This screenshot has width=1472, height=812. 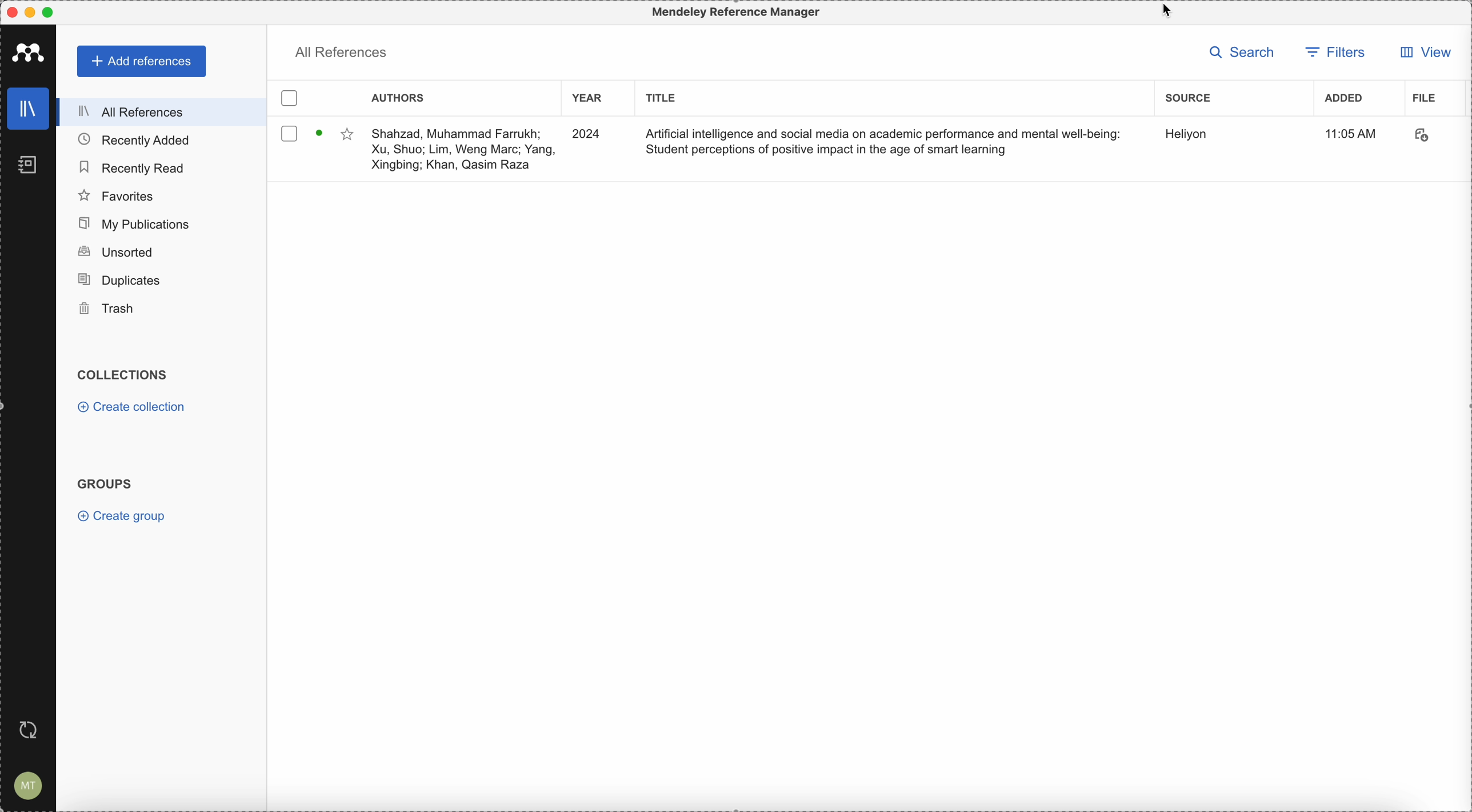 I want to click on source, so click(x=1164, y=10).